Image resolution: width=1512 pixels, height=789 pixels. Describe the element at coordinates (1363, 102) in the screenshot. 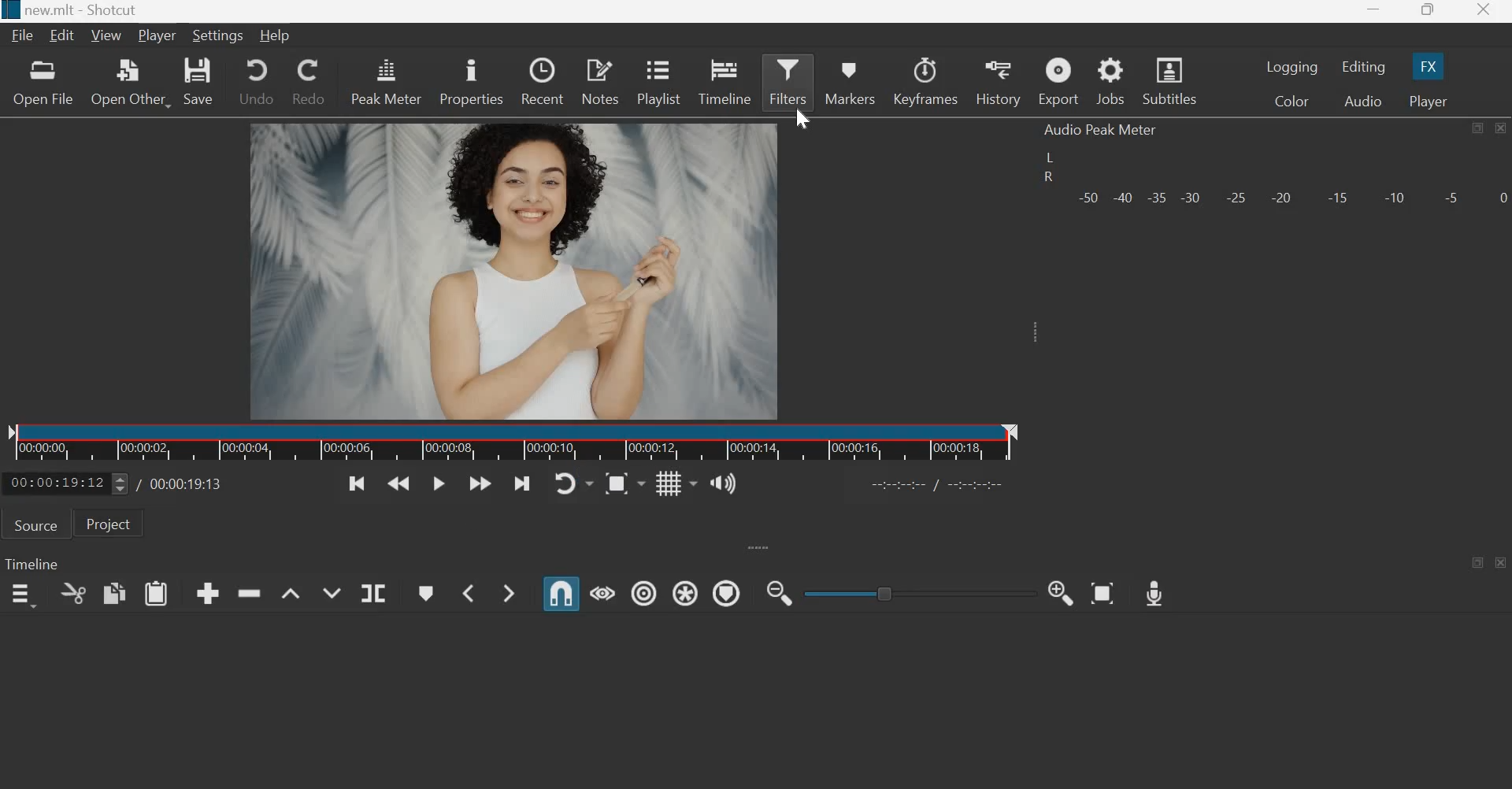

I see `Audio` at that location.